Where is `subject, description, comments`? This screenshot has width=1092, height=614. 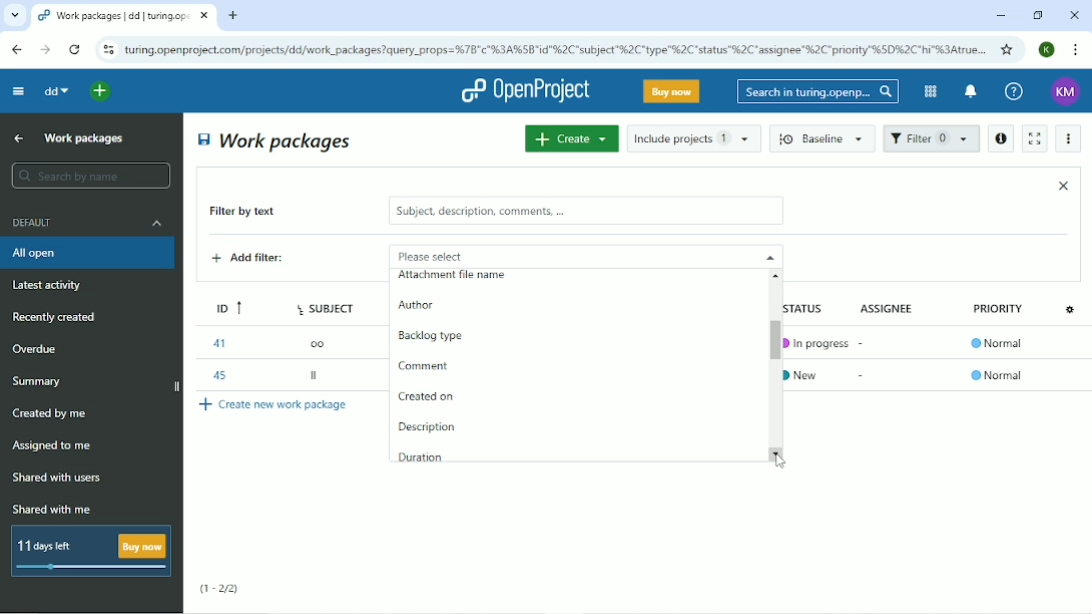 subject, description, comments is located at coordinates (585, 211).